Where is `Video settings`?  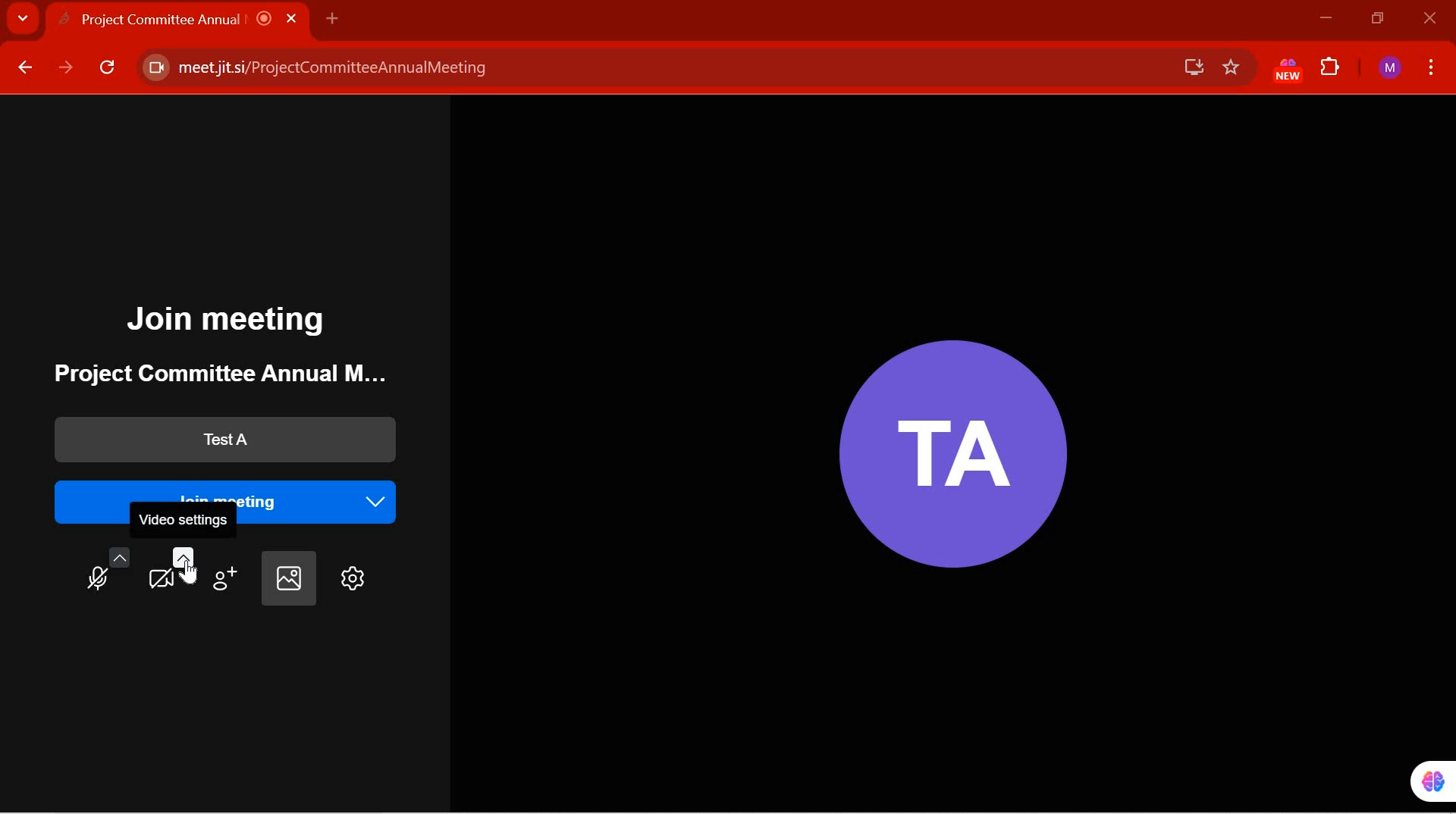 Video settings is located at coordinates (186, 521).